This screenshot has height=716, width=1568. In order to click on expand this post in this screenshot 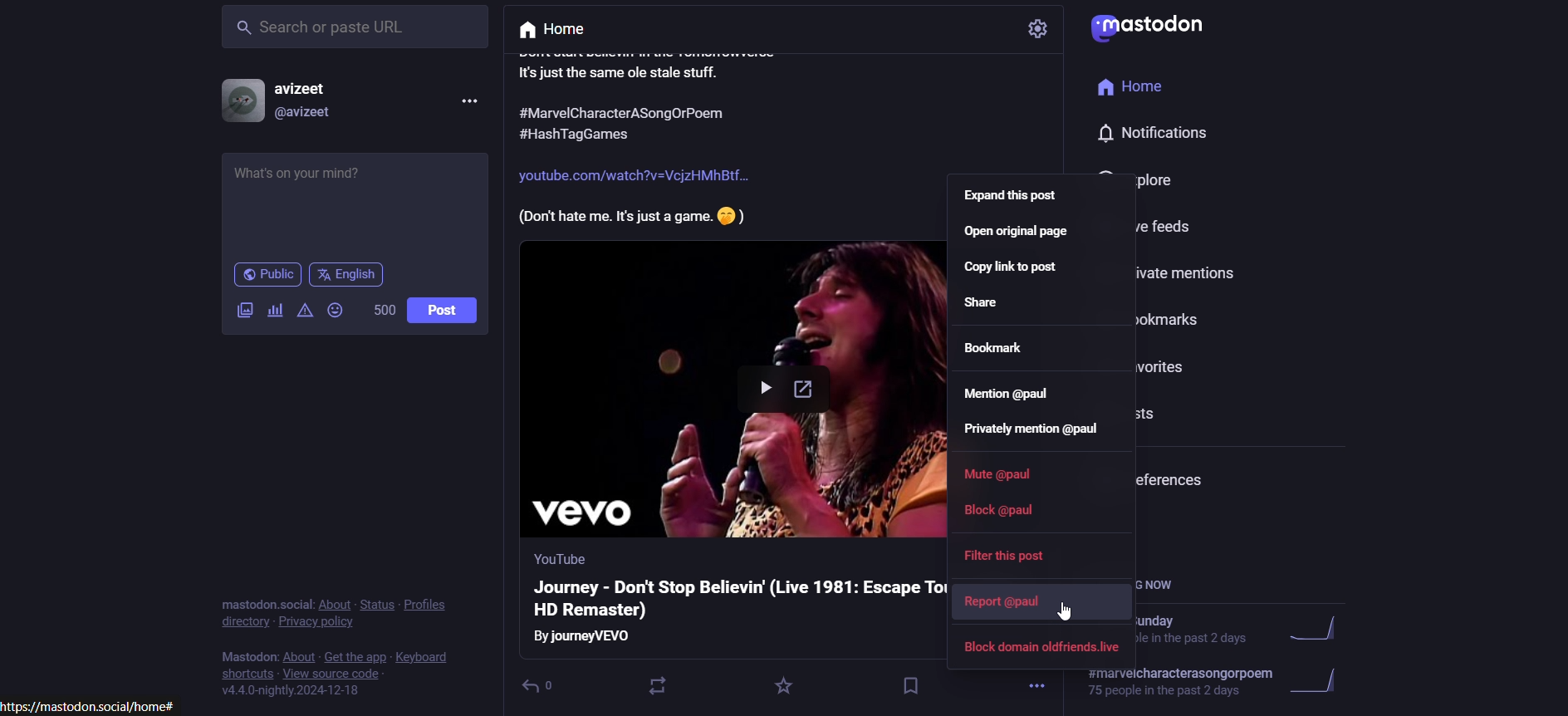, I will do `click(1012, 199)`.